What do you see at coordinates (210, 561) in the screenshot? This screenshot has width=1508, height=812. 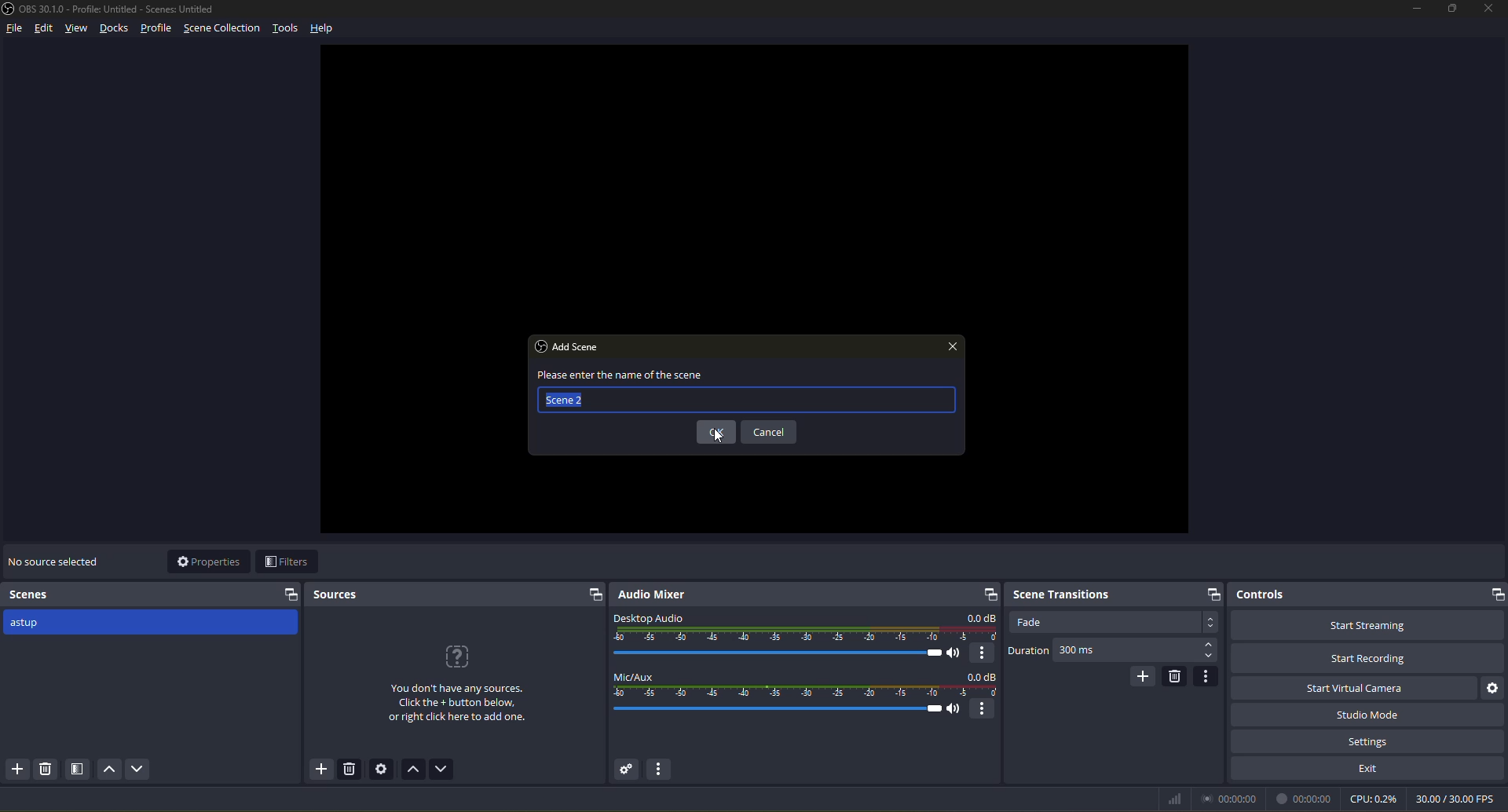 I see `properties` at bounding box center [210, 561].